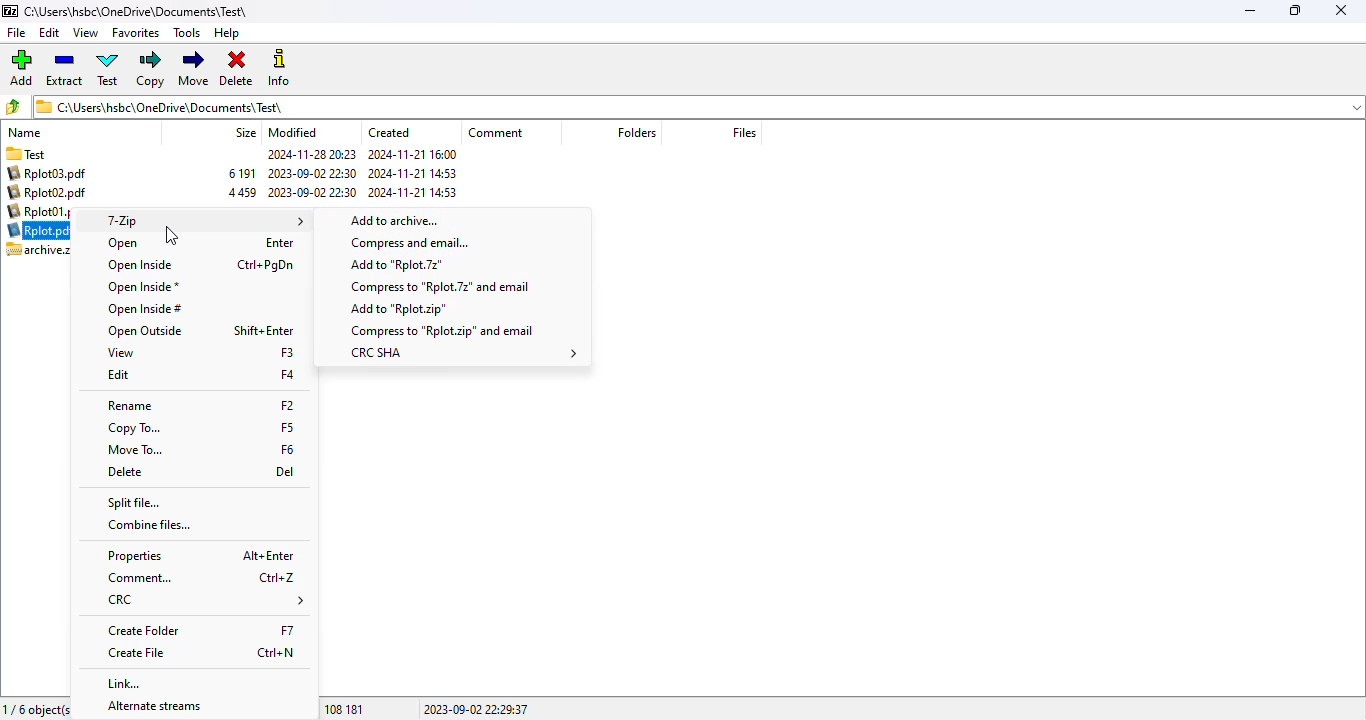 The width and height of the screenshot is (1366, 720). I want to click on edit, so click(119, 374).